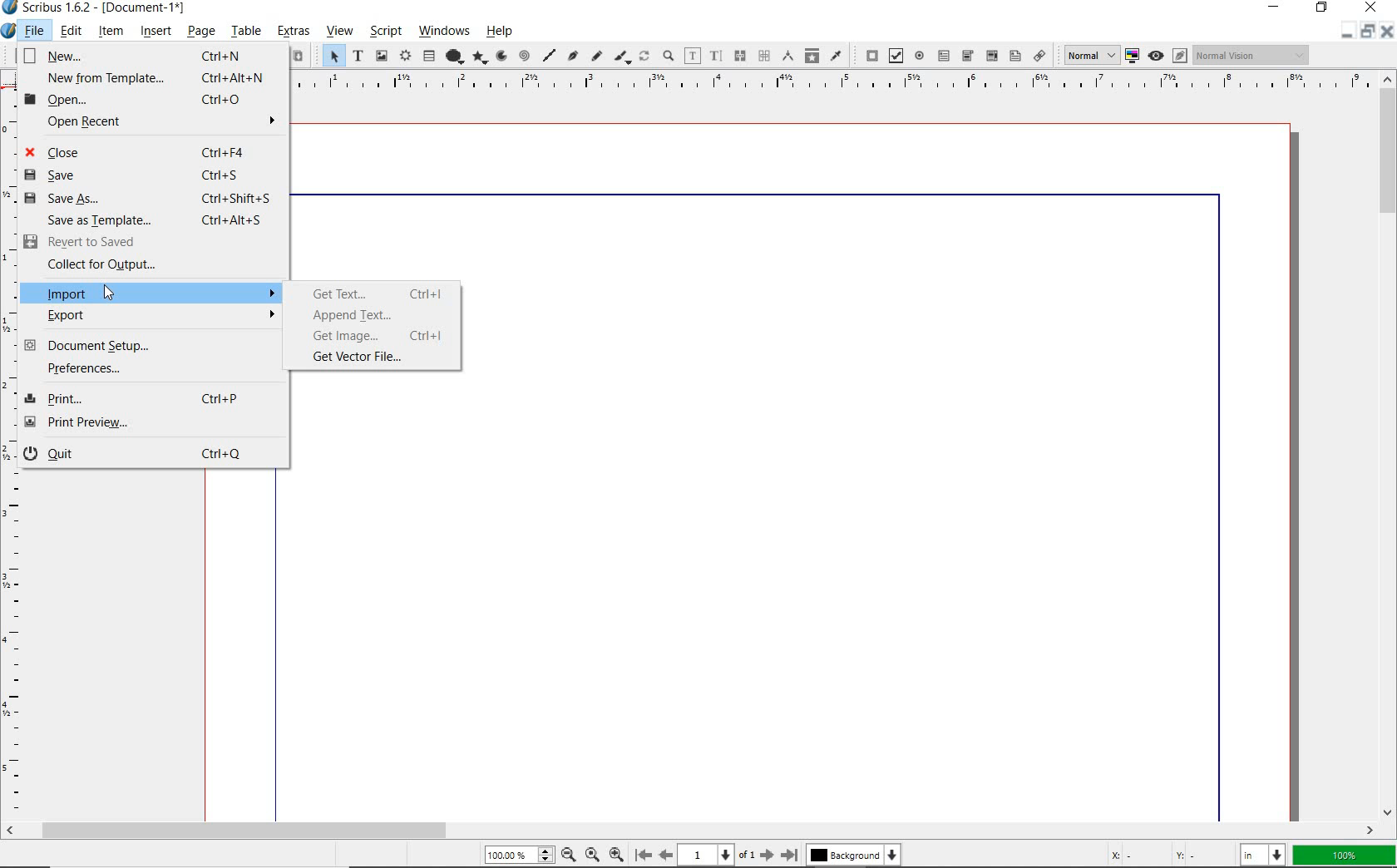 This screenshot has width=1397, height=868. Describe the element at coordinates (151, 197) in the screenshot. I see `Save as... Ctrl+Shift+S` at that location.